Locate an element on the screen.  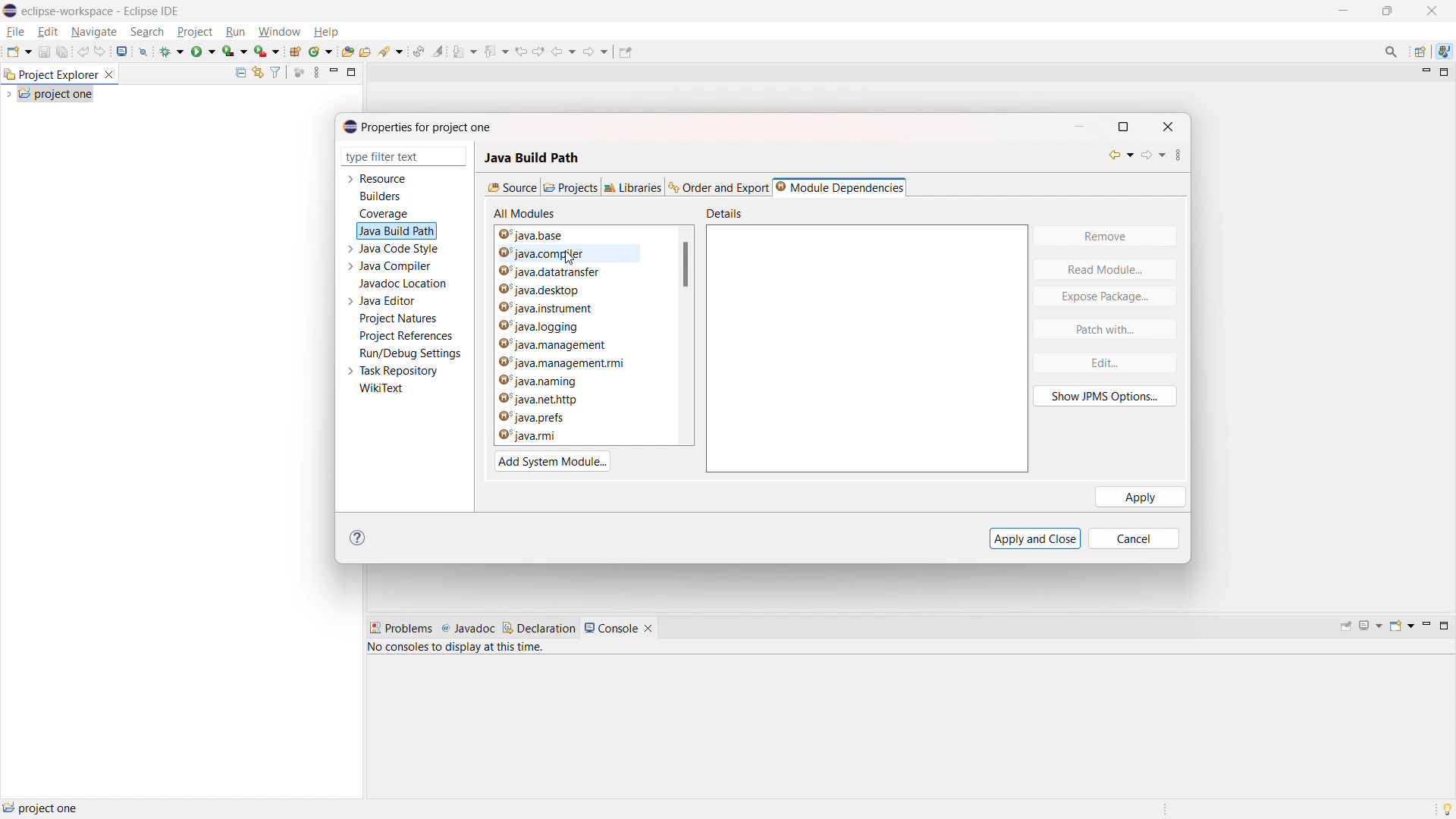
undo is located at coordinates (83, 51).